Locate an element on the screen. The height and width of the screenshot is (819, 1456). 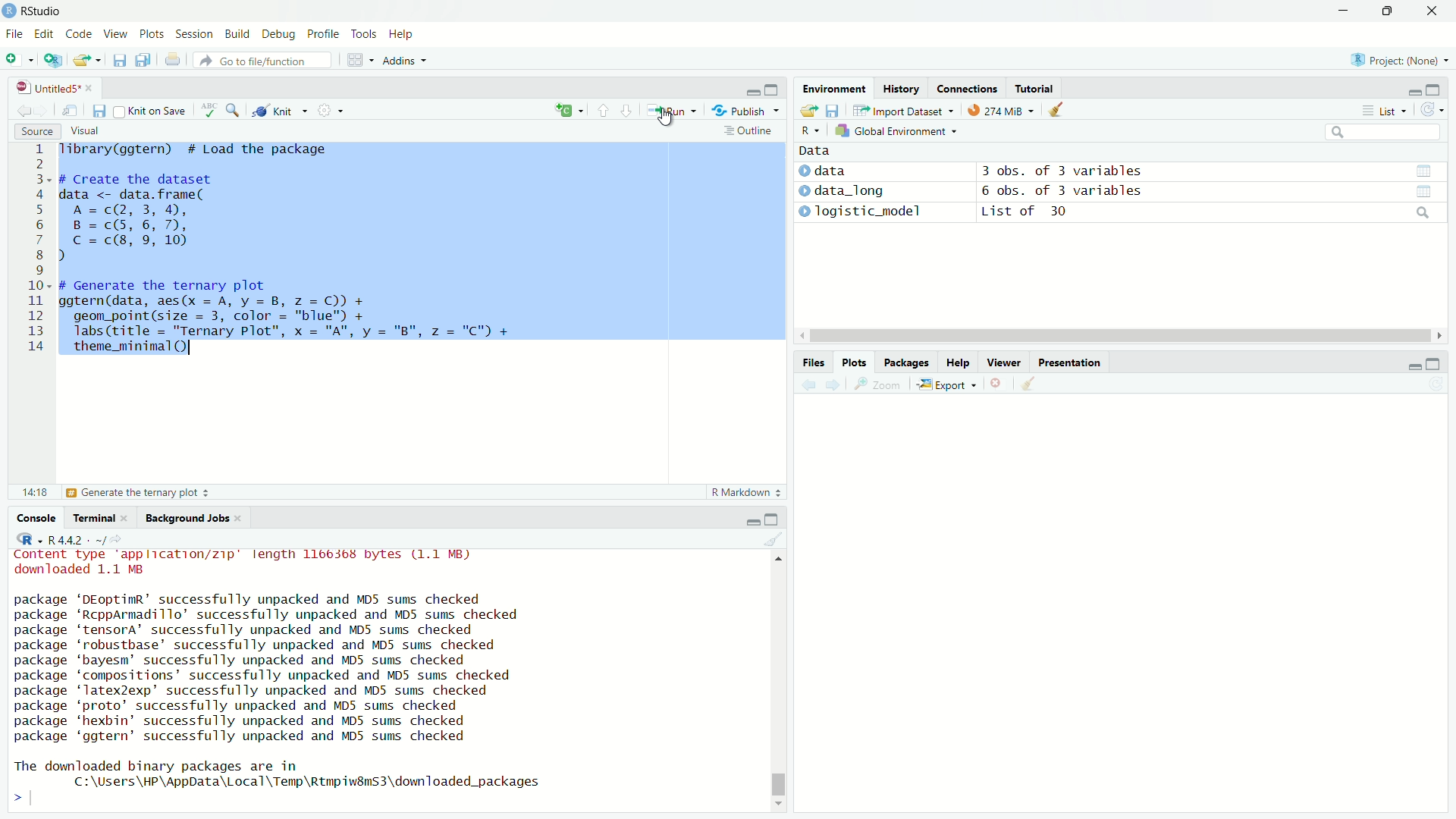
Presentation is located at coordinates (1072, 362).